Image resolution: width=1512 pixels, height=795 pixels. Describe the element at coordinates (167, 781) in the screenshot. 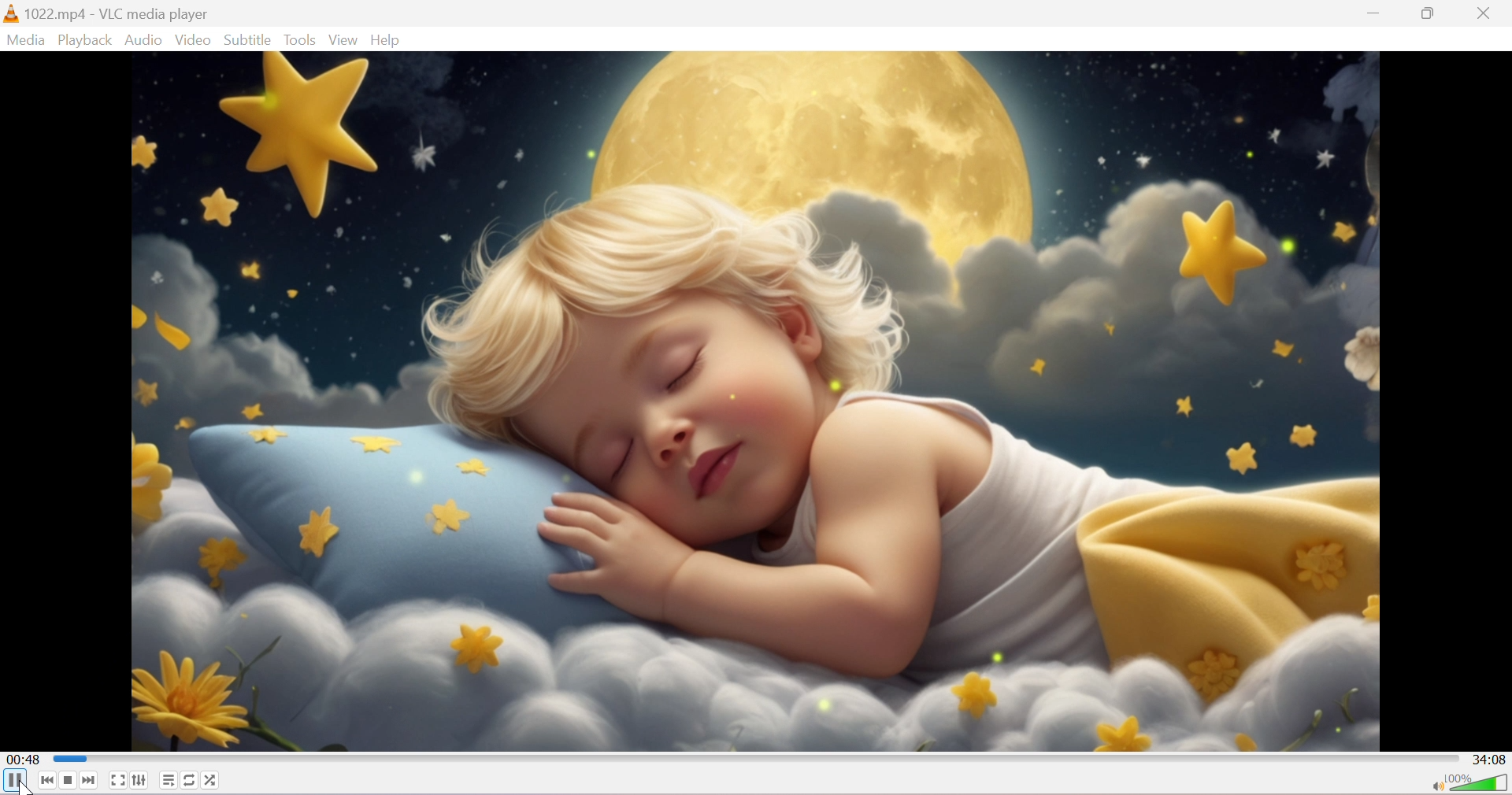

I see `Toggle playlist` at that location.